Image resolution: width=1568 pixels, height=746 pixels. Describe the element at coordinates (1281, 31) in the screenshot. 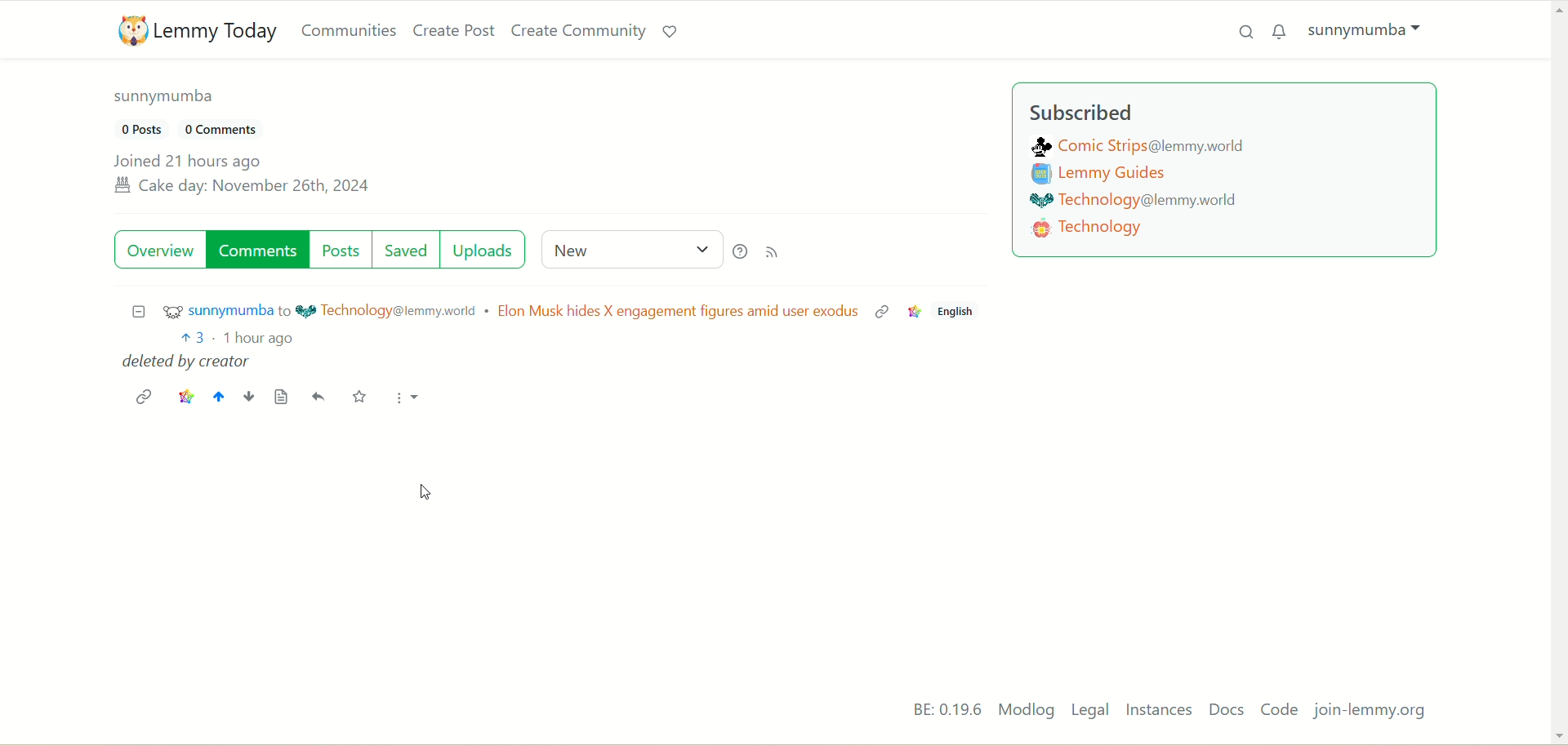

I see `notification` at that location.